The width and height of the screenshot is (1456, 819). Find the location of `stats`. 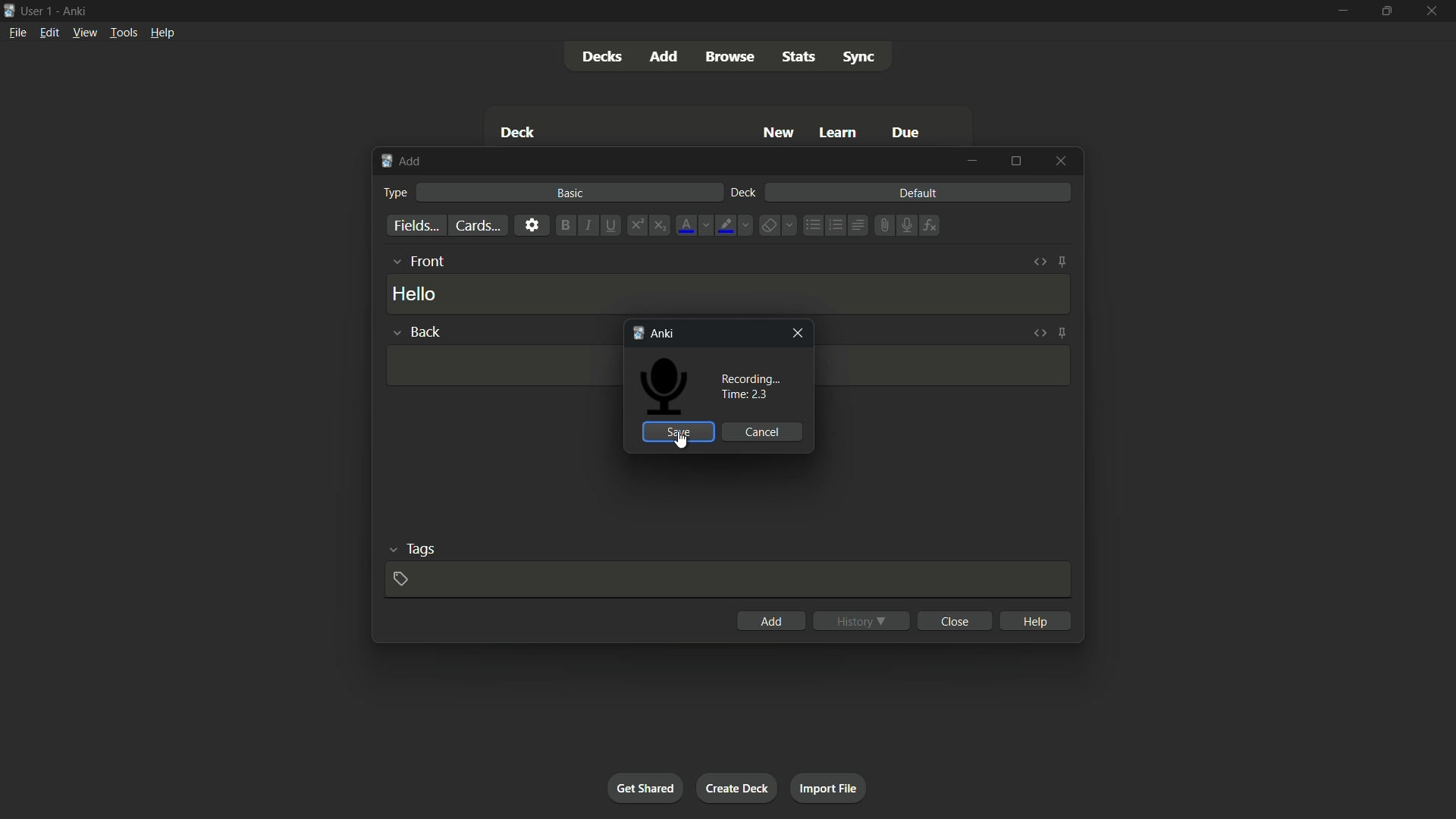

stats is located at coordinates (798, 56).